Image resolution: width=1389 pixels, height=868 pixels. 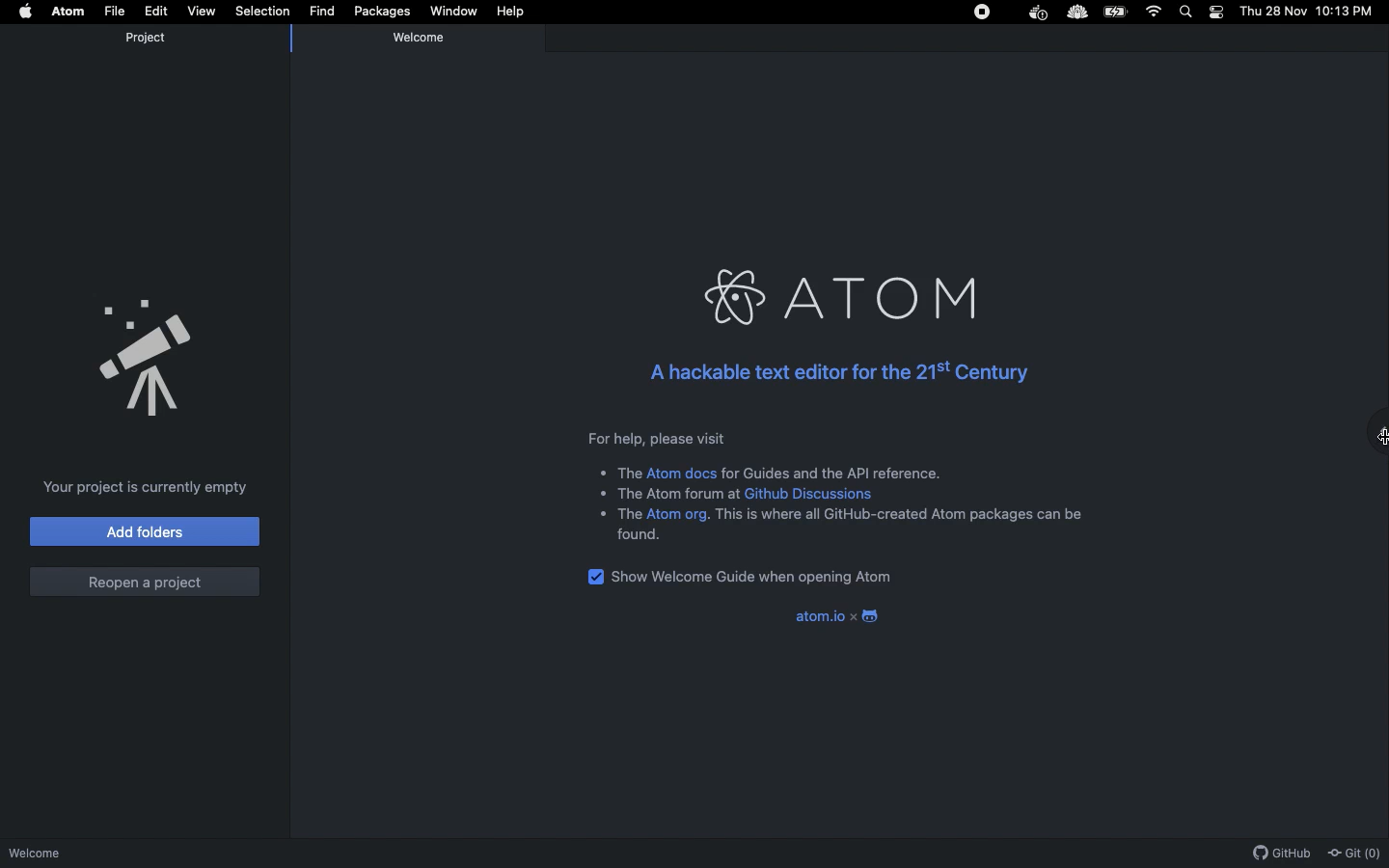 What do you see at coordinates (262, 11) in the screenshot?
I see `Selection` at bounding box center [262, 11].